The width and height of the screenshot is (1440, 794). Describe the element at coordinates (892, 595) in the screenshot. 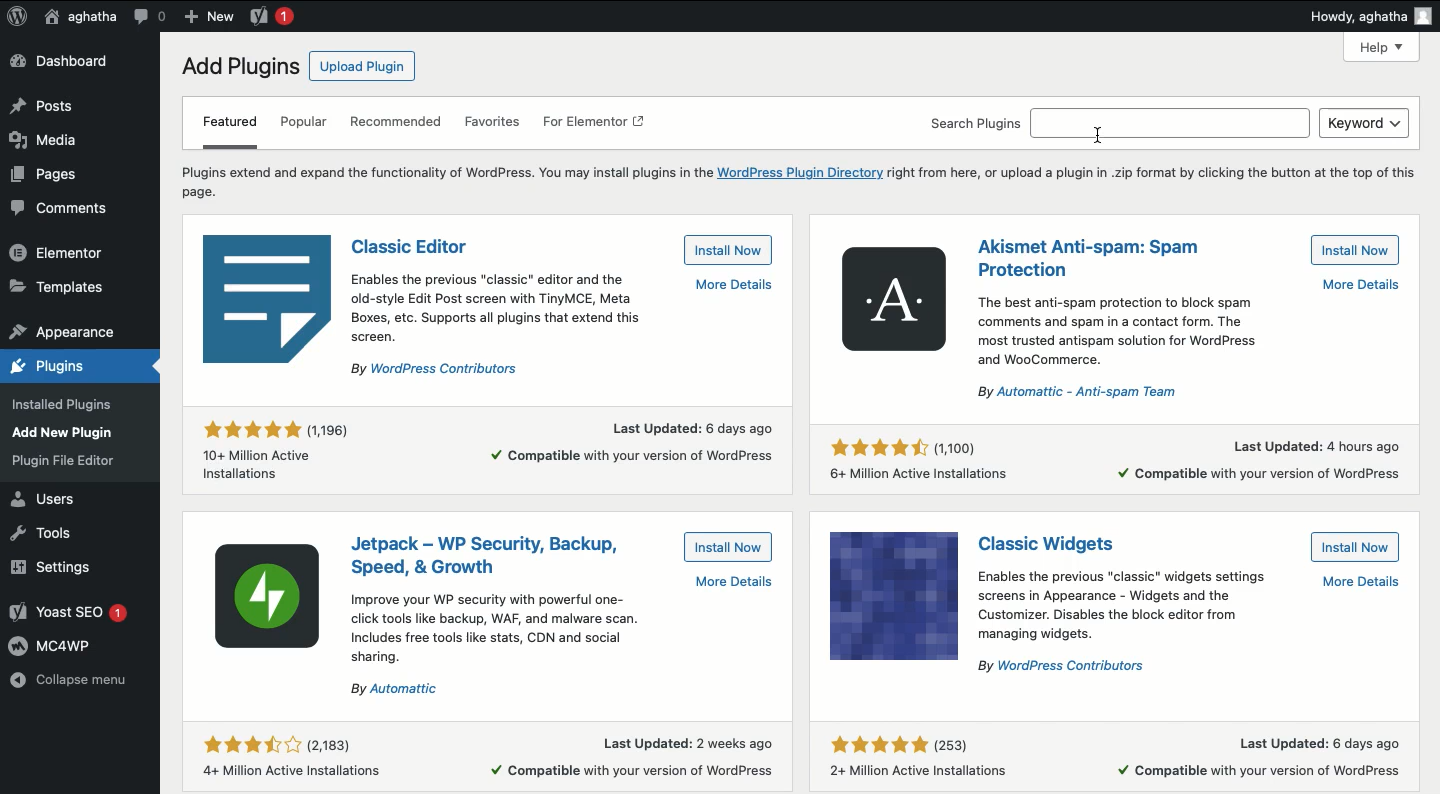

I see `Icon` at that location.